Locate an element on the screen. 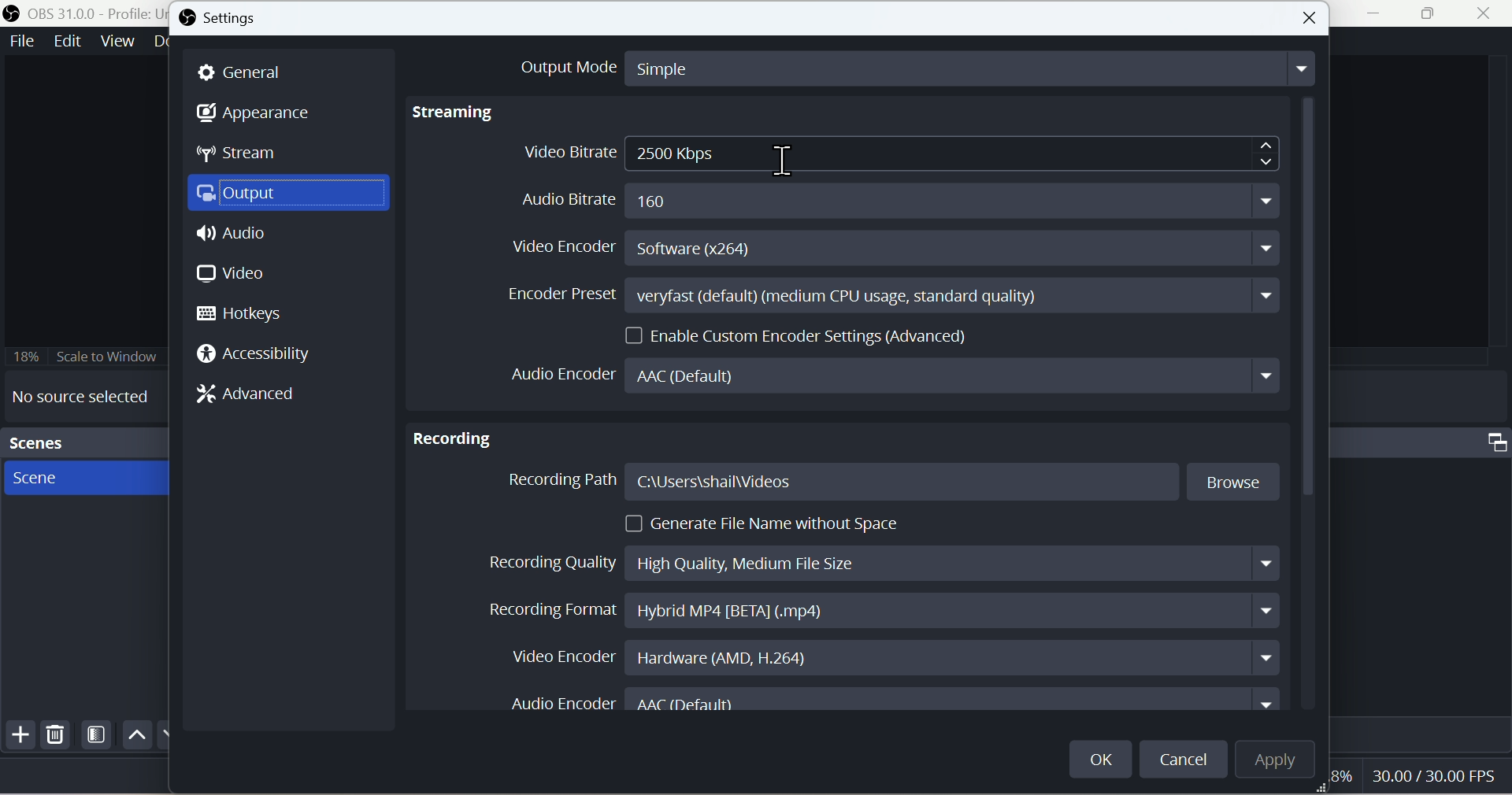 Image resolution: width=1512 pixels, height=795 pixels. View is located at coordinates (117, 42).